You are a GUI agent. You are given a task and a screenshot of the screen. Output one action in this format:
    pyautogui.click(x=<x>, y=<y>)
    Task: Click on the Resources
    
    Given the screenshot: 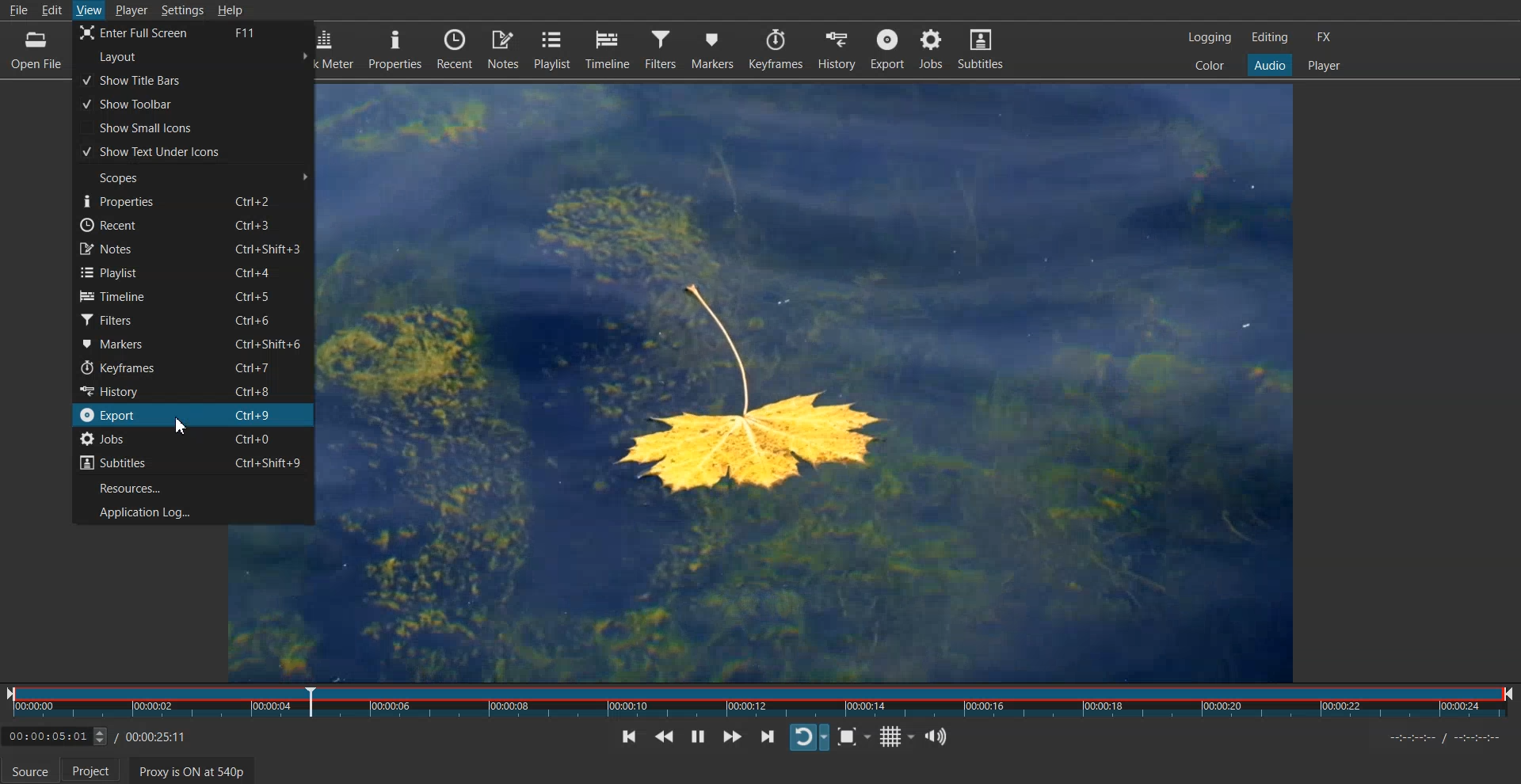 What is the action you would take?
    pyautogui.click(x=193, y=485)
    